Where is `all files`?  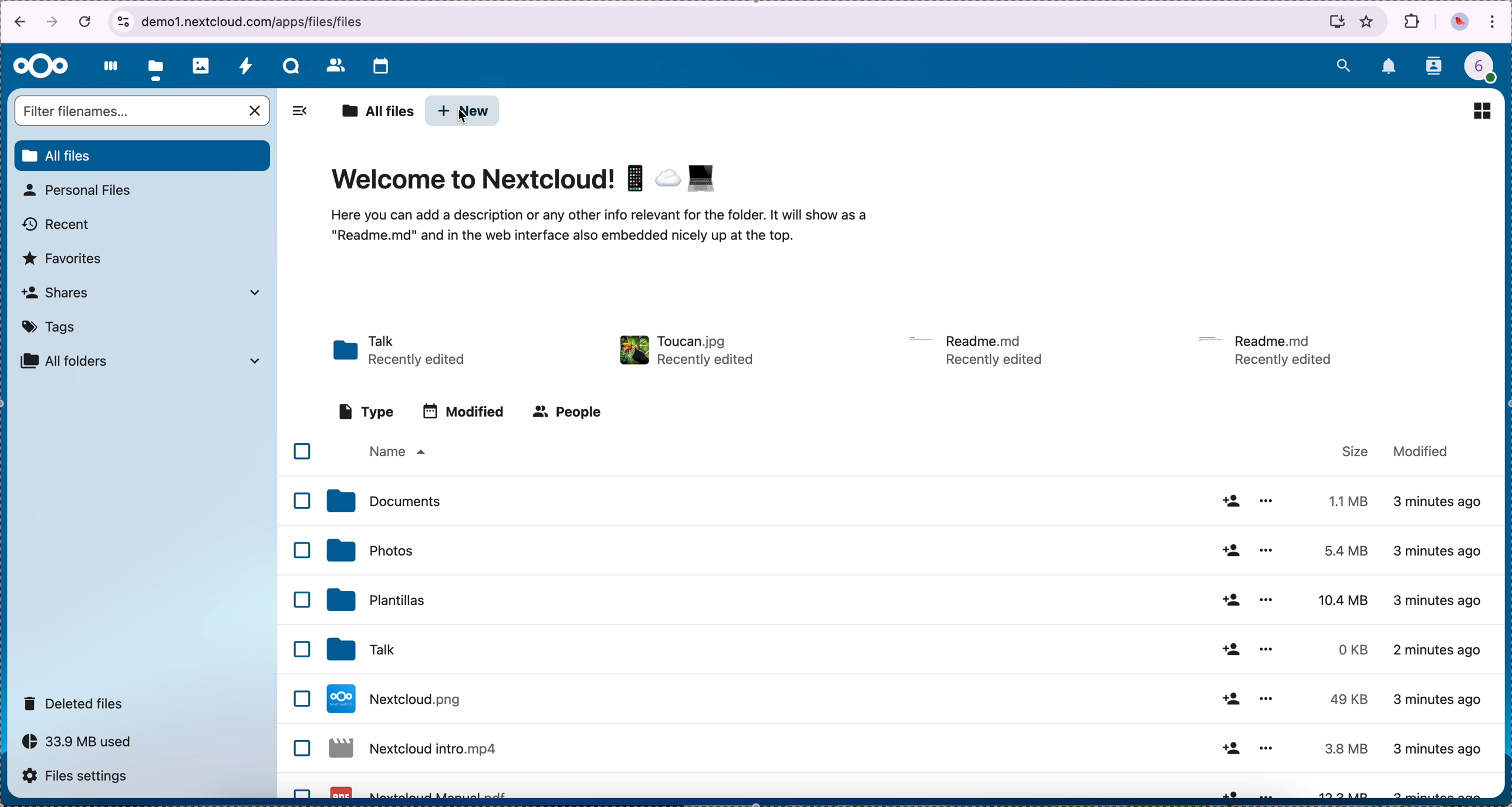 all files is located at coordinates (377, 112).